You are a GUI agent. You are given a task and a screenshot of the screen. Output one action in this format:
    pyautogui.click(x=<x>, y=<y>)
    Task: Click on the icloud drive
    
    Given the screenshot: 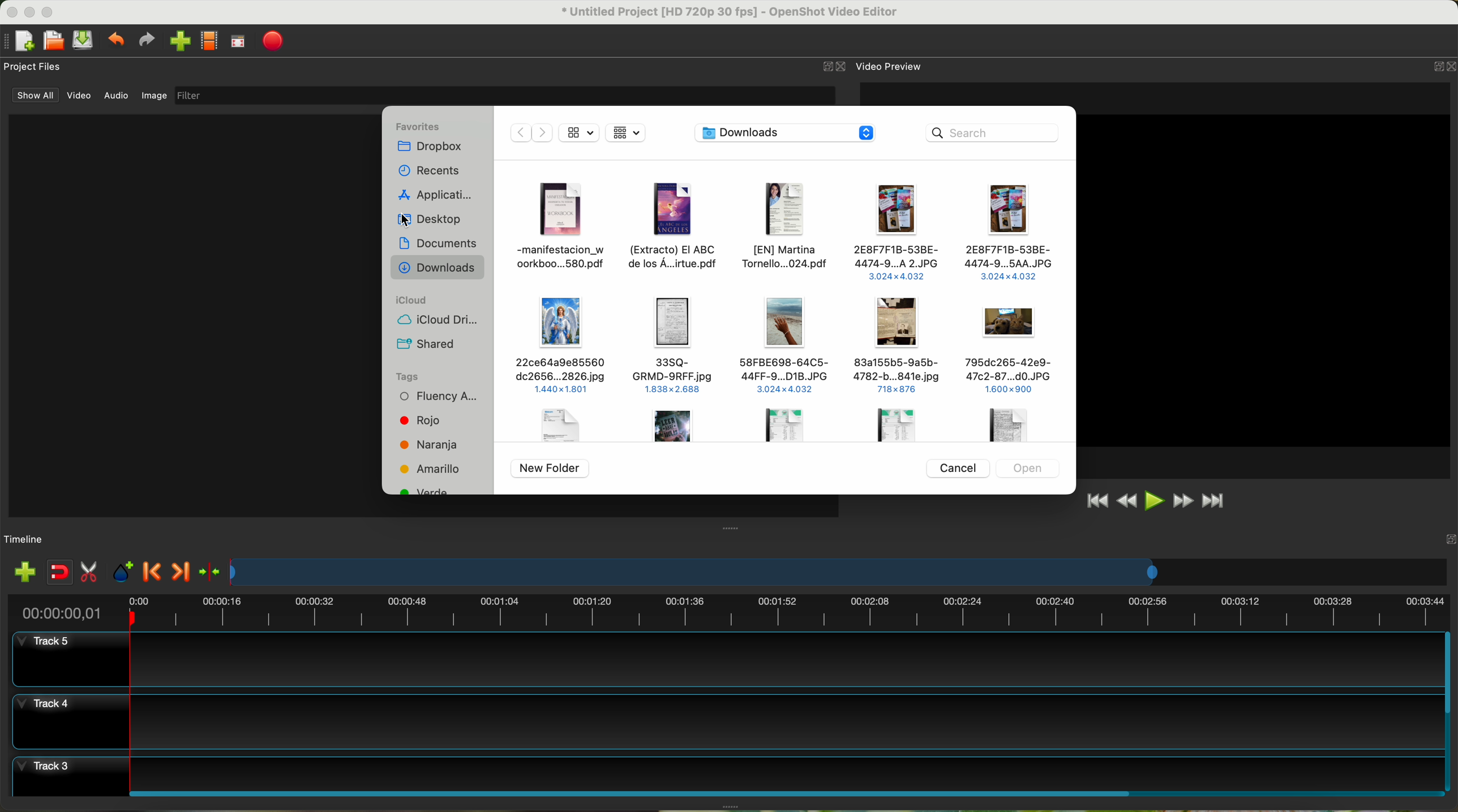 What is the action you would take?
    pyautogui.click(x=432, y=321)
    